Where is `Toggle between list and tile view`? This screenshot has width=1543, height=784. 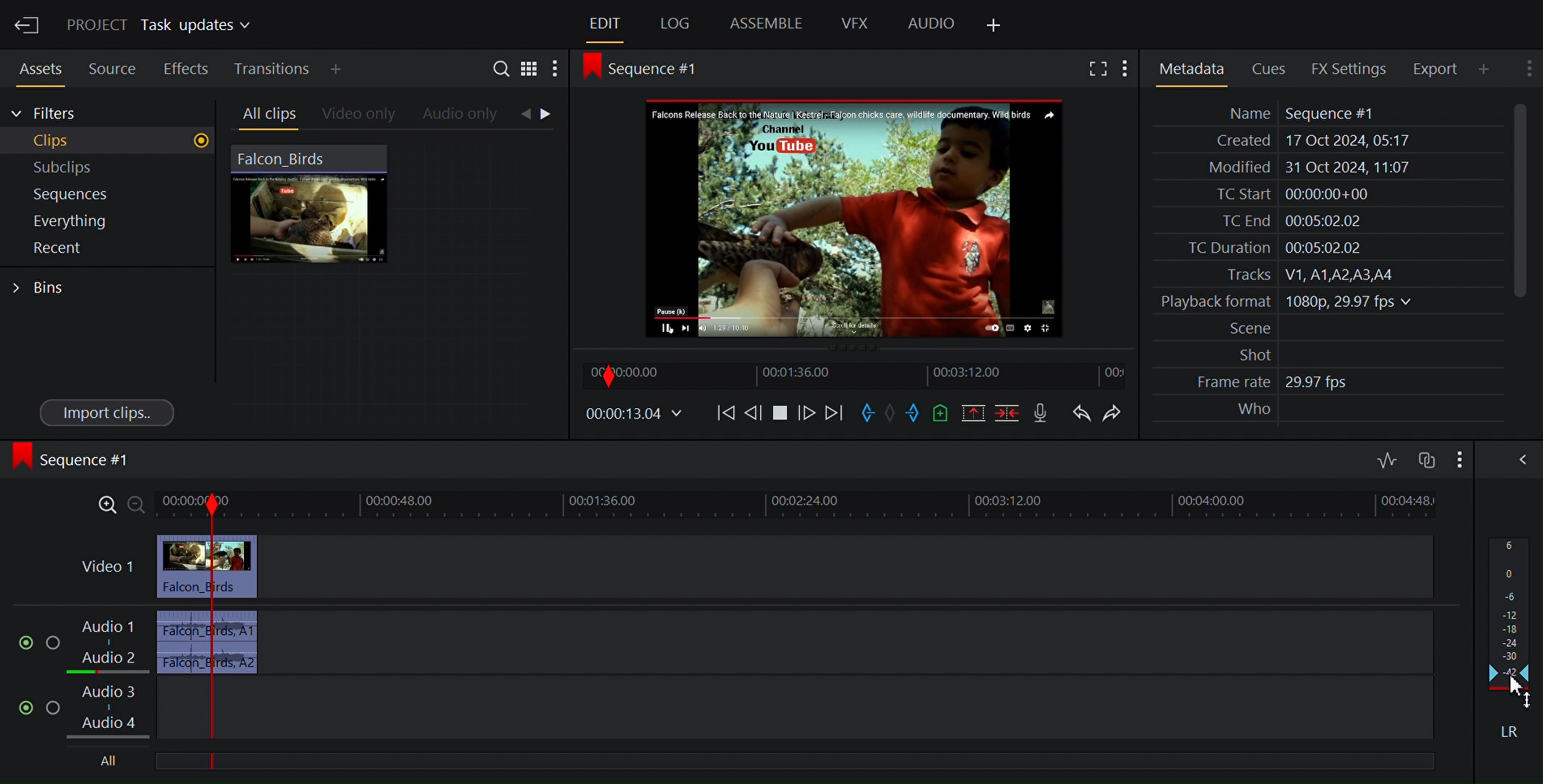 Toggle between list and tile view is located at coordinates (530, 67).